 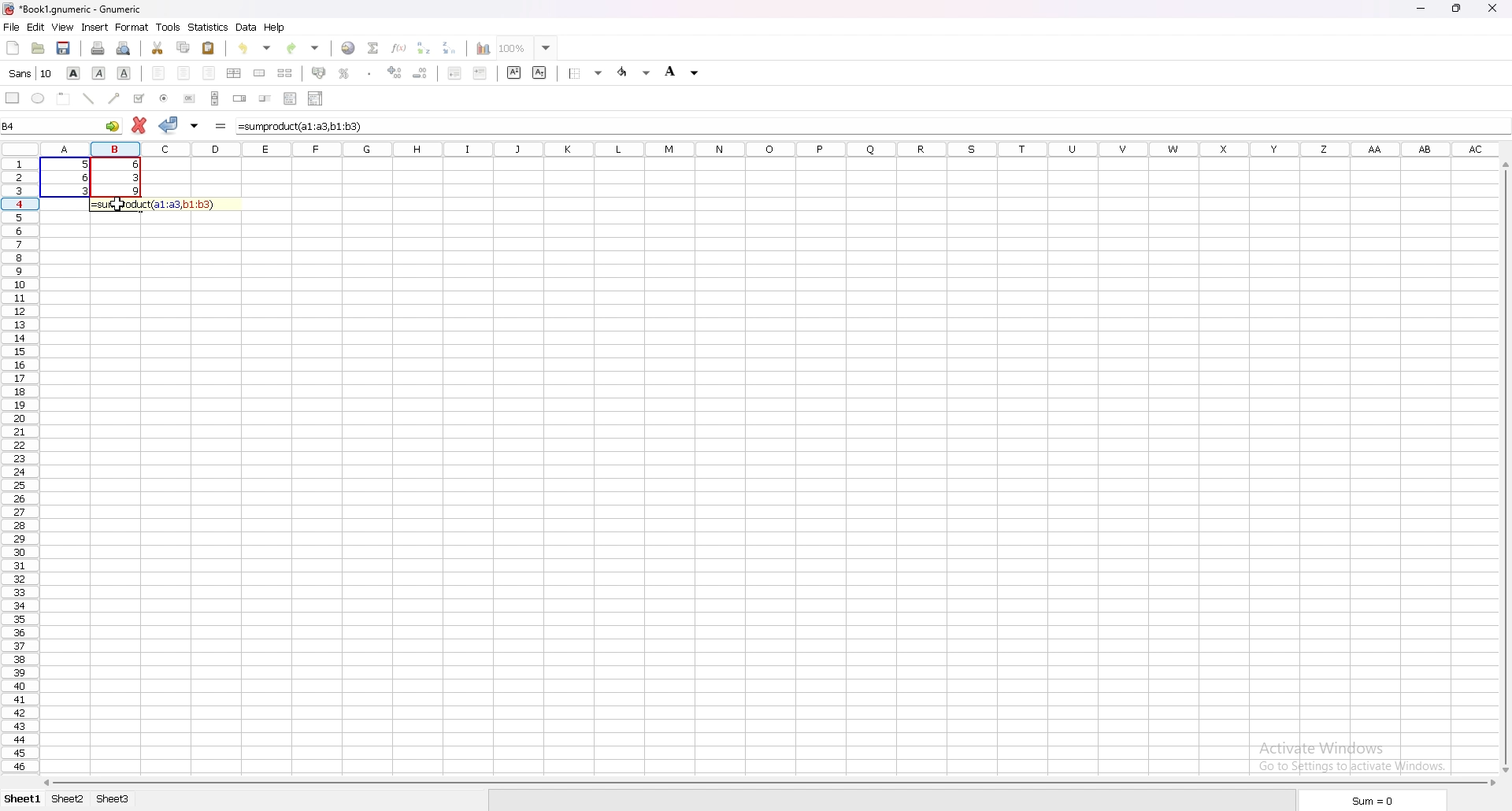 I want to click on new, so click(x=13, y=47).